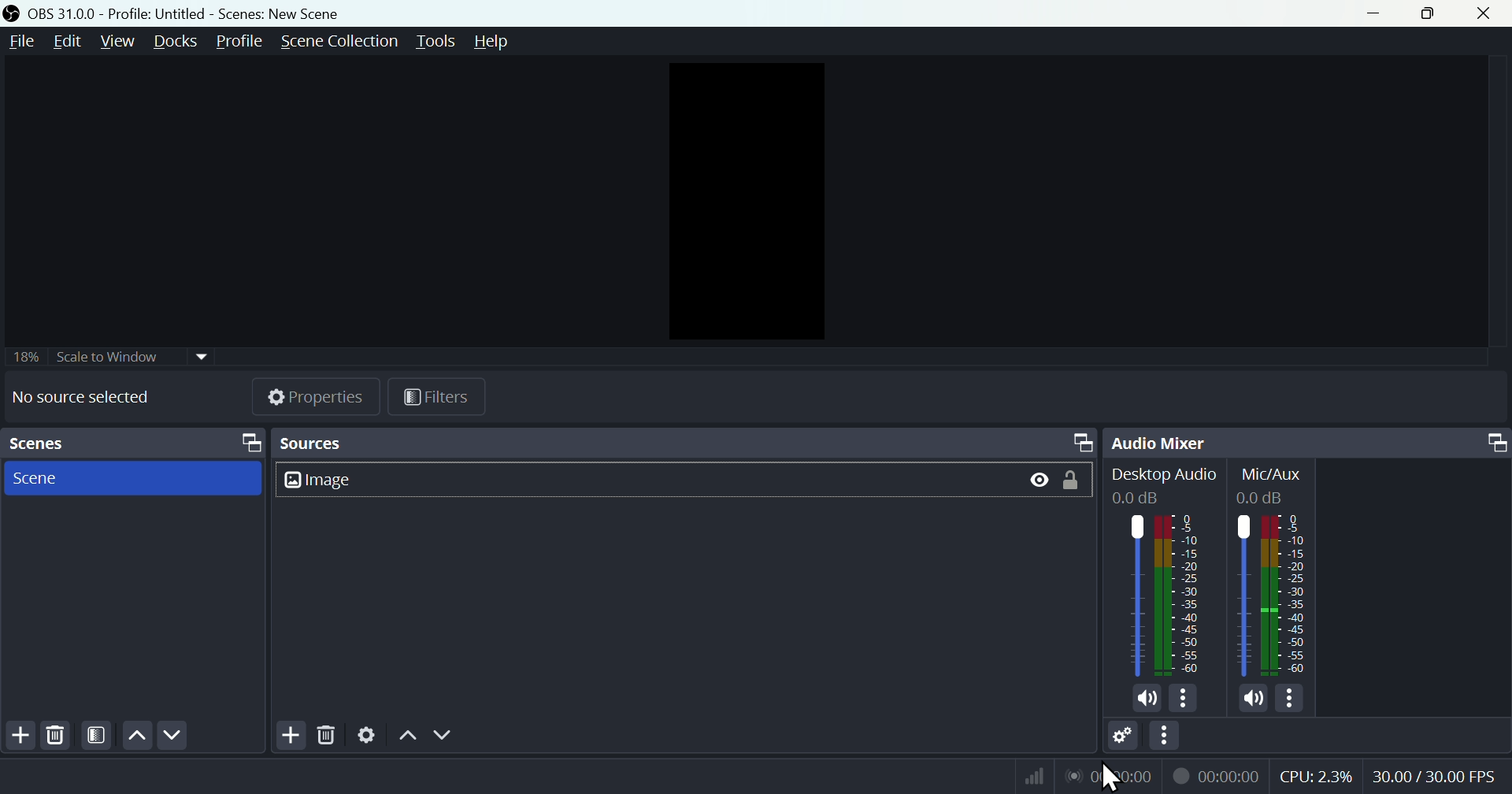 Image resolution: width=1512 pixels, height=794 pixels. I want to click on Cursor, so click(1113, 774).